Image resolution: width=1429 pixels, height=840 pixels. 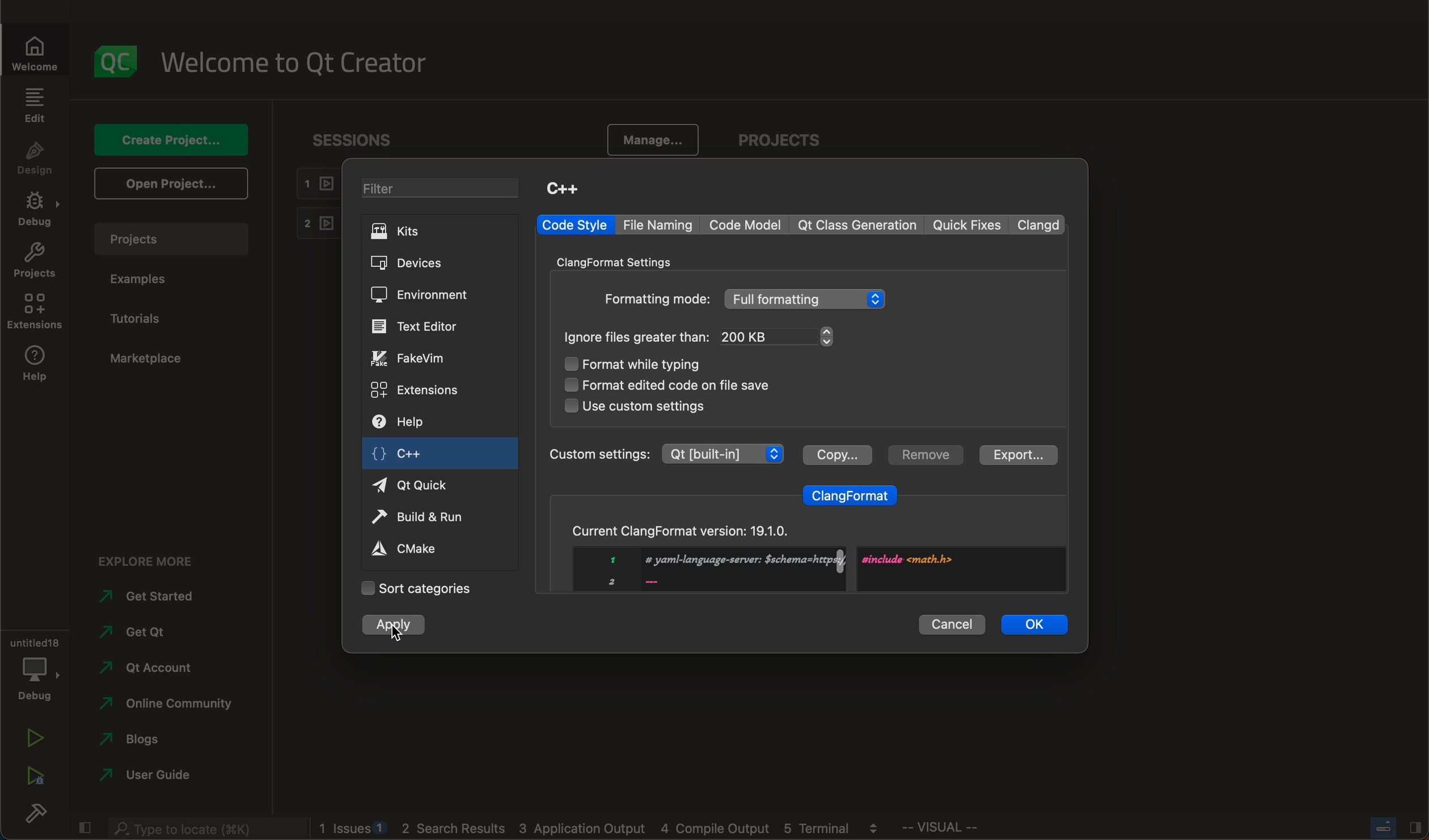 I want to click on open, so click(x=168, y=183).